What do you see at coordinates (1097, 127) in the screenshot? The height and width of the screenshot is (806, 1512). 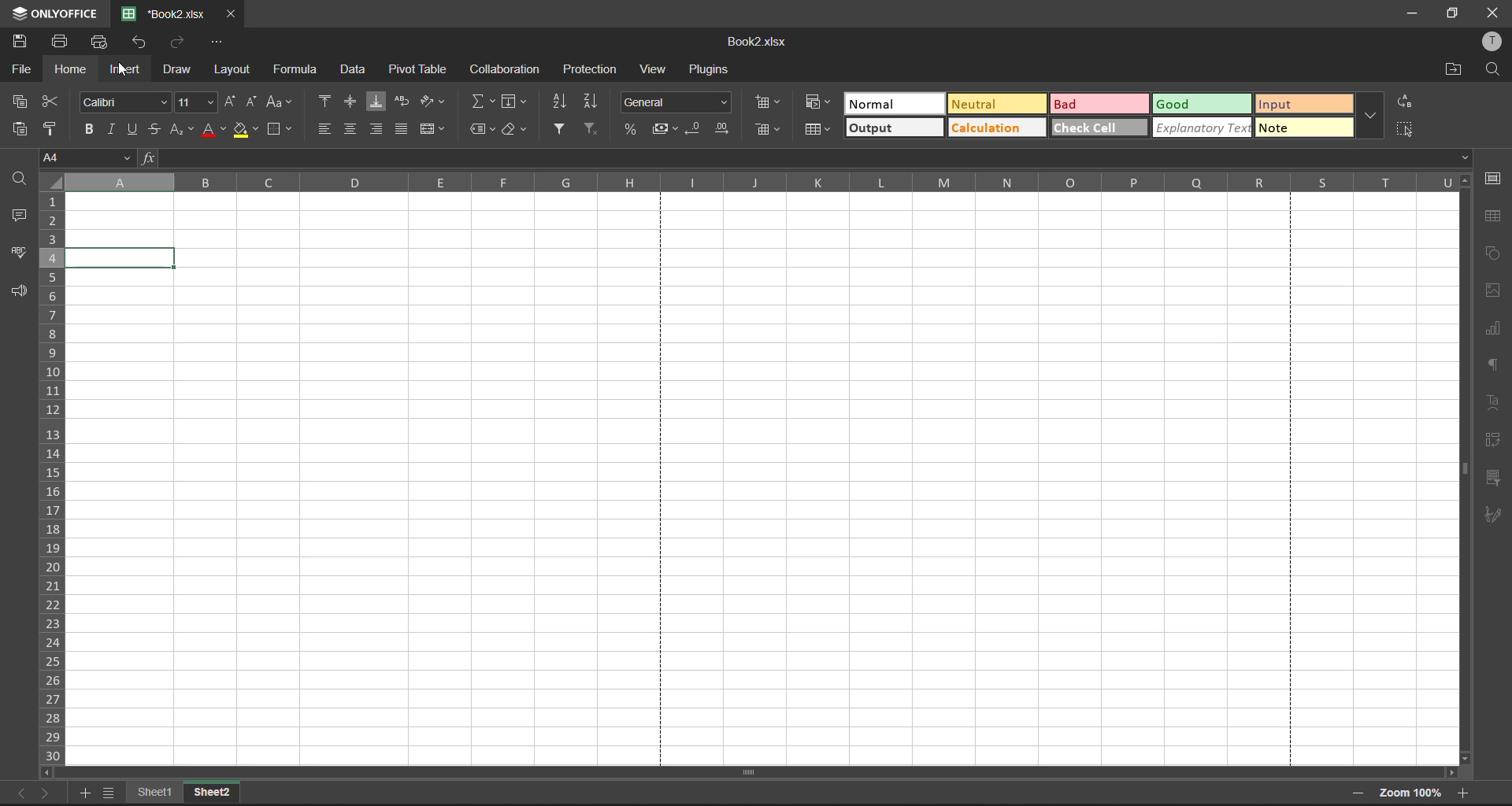 I see `check cell` at bounding box center [1097, 127].